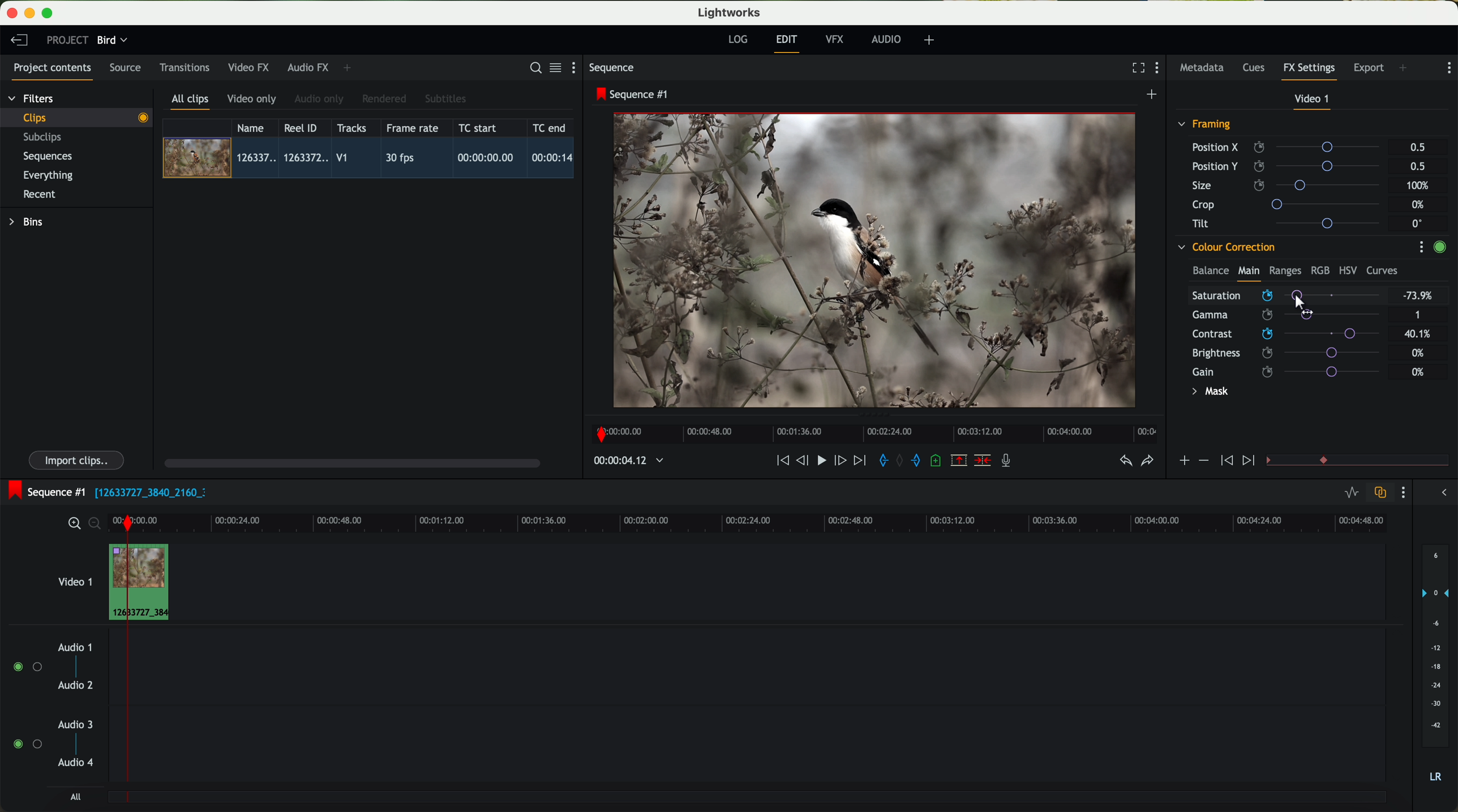  What do you see at coordinates (1421, 247) in the screenshot?
I see `show settings menu` at bounding box center [1421, 247].